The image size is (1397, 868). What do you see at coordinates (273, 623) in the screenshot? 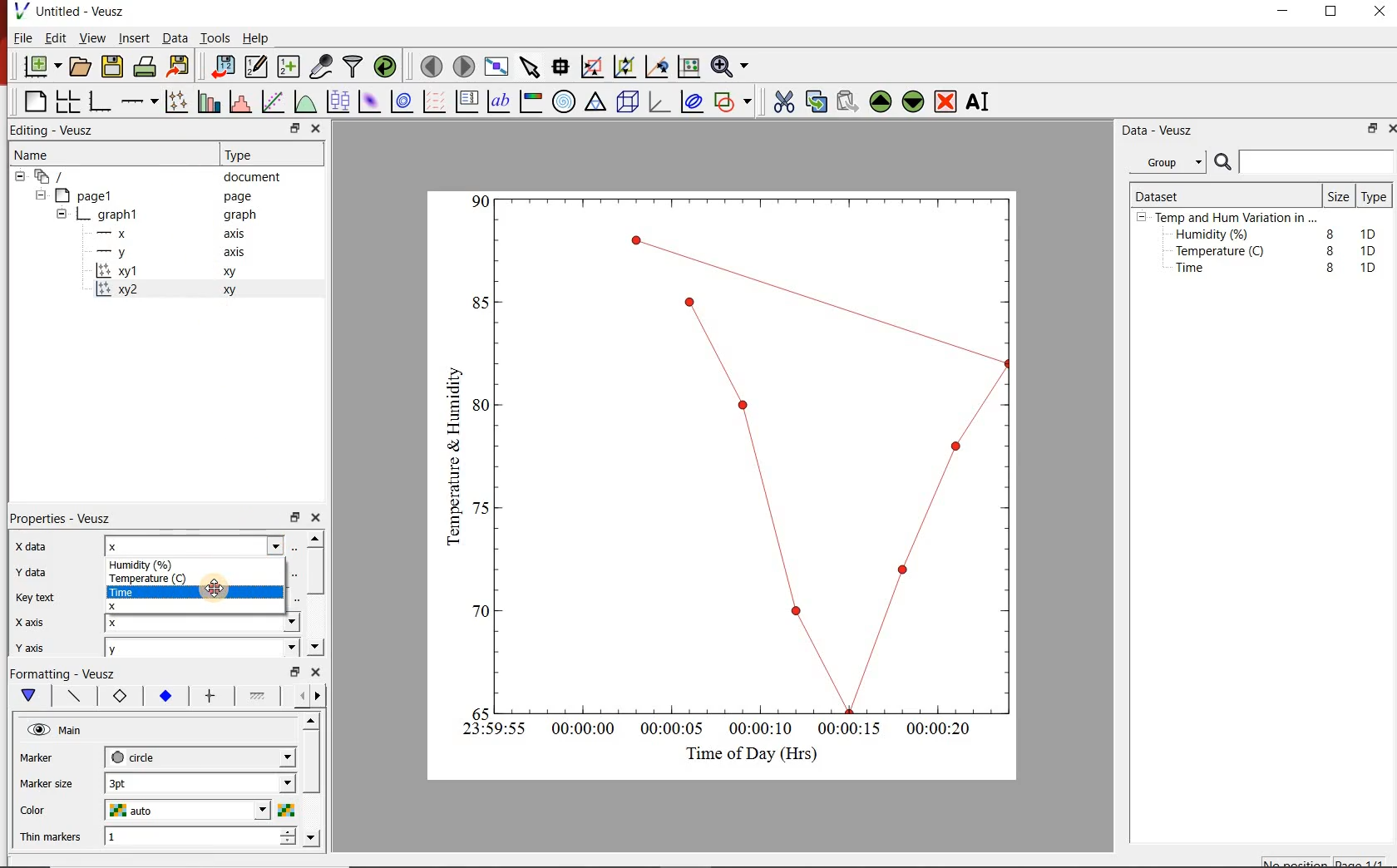
I see `x axis dropdown` at bounding box center [273, 623].